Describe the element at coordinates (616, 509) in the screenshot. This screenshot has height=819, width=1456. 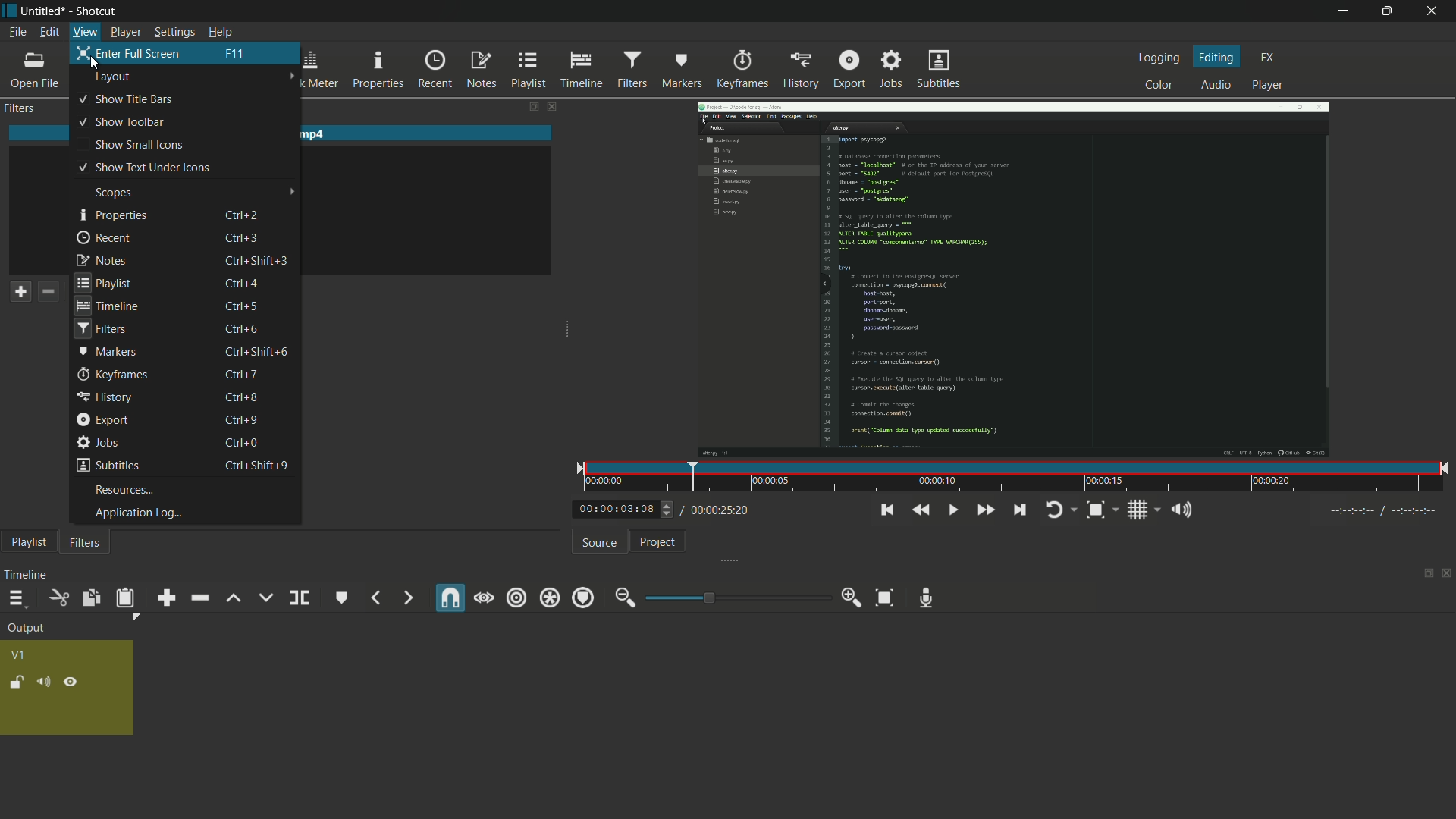
I see `current time` at that location.